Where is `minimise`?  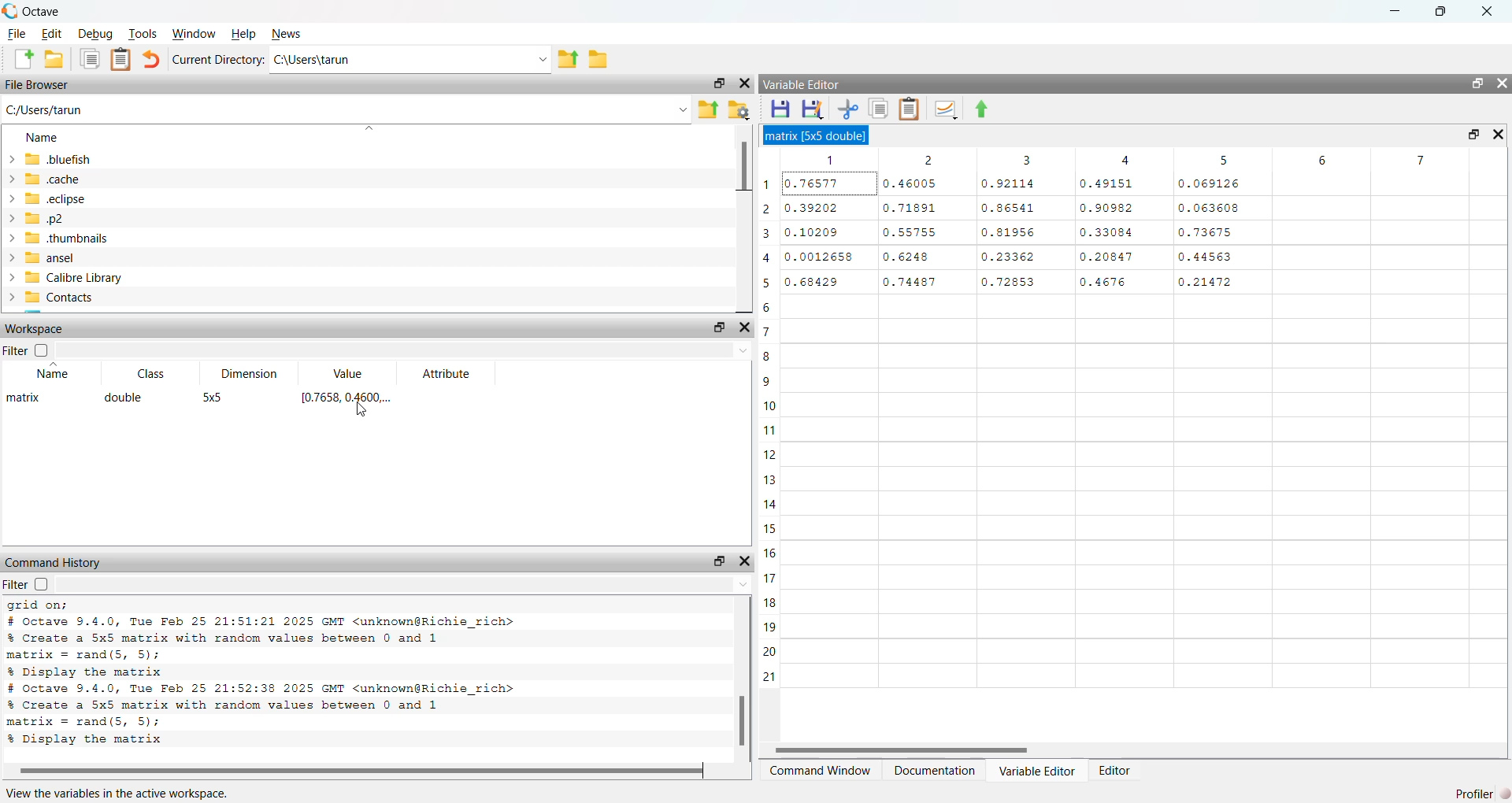
minimise is located at coordinates (1391, 9).